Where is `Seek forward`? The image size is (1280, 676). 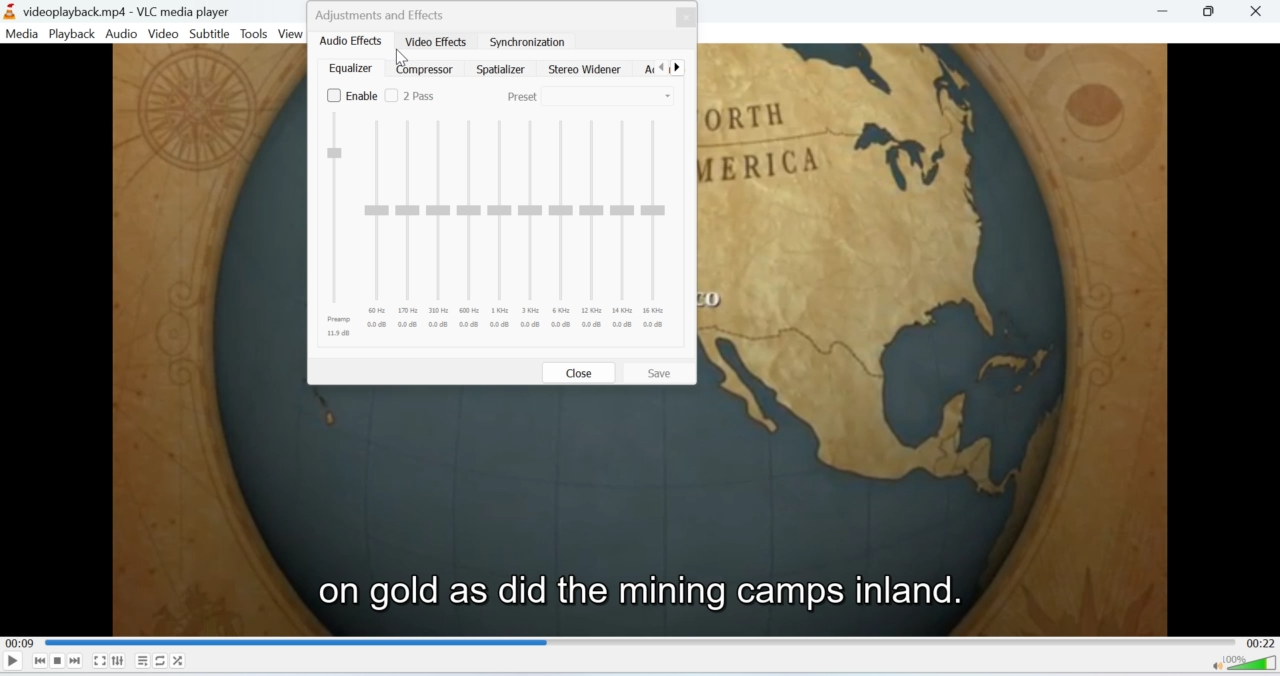
Seek forward is located at coordinates (76, 660).